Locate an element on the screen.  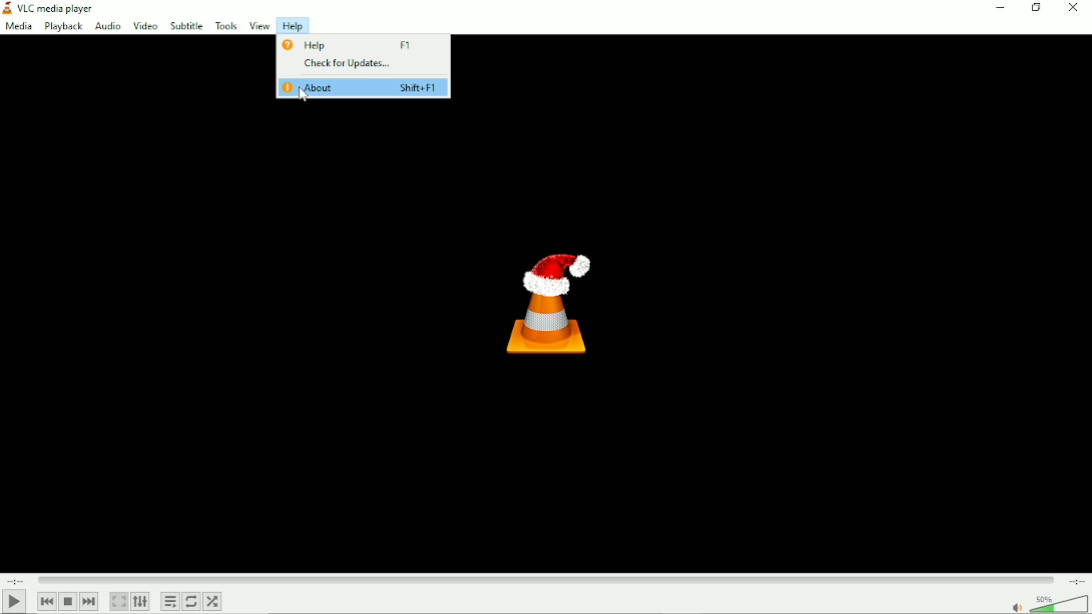
Playback is located at coordinates (62, 27).